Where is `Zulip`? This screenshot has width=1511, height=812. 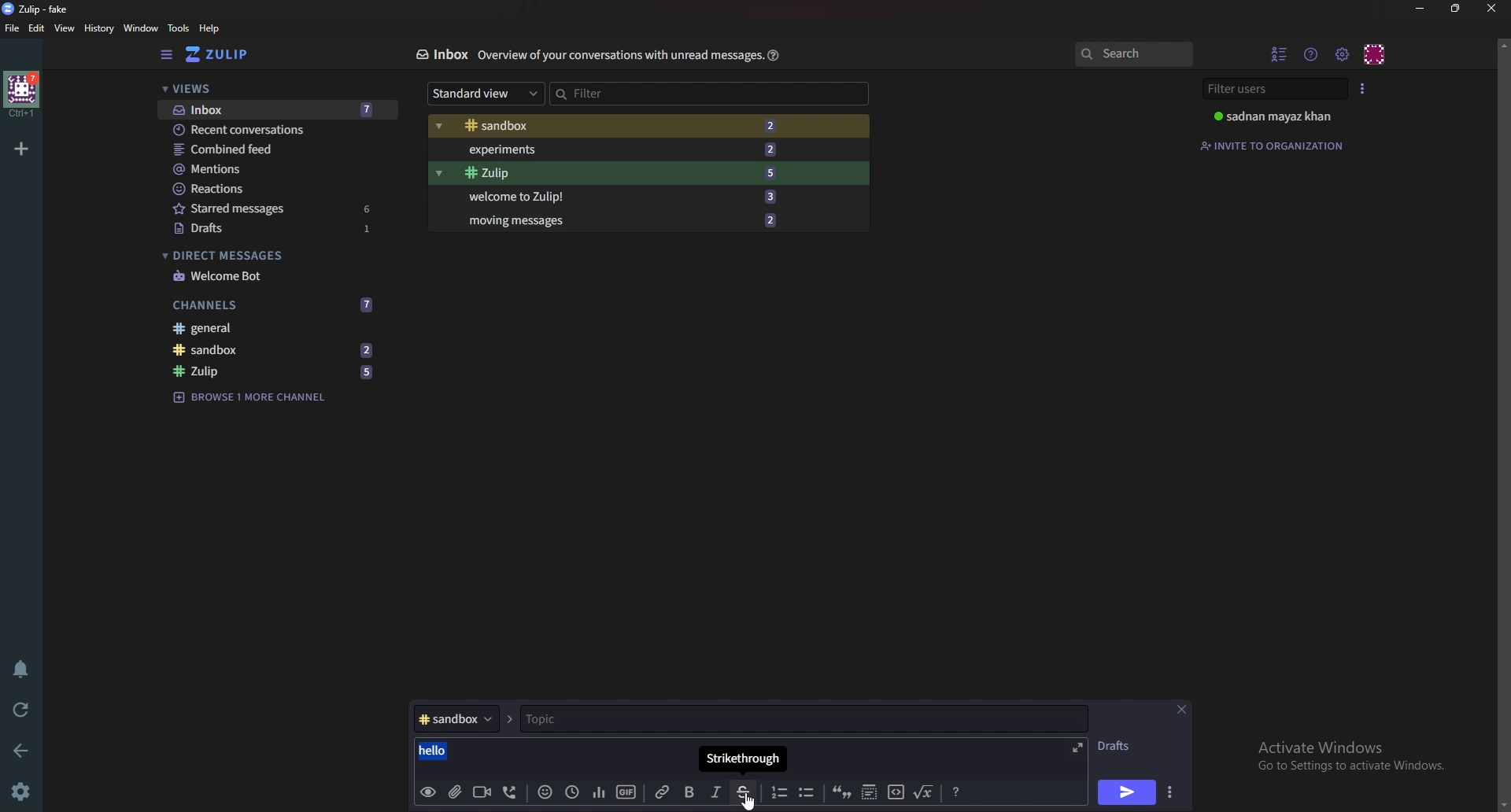
Zulip is located at coordinates (272, 370).